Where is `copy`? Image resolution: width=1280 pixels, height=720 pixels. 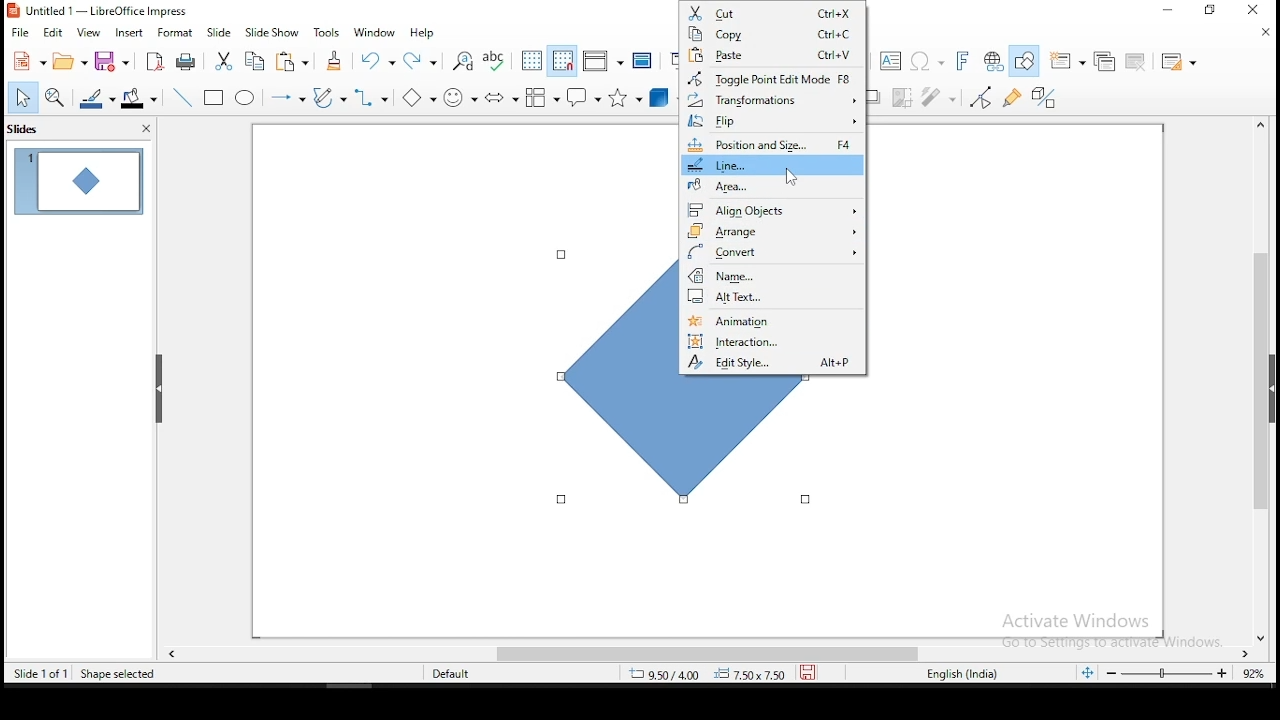 copy is located at coordinates (773, 33).